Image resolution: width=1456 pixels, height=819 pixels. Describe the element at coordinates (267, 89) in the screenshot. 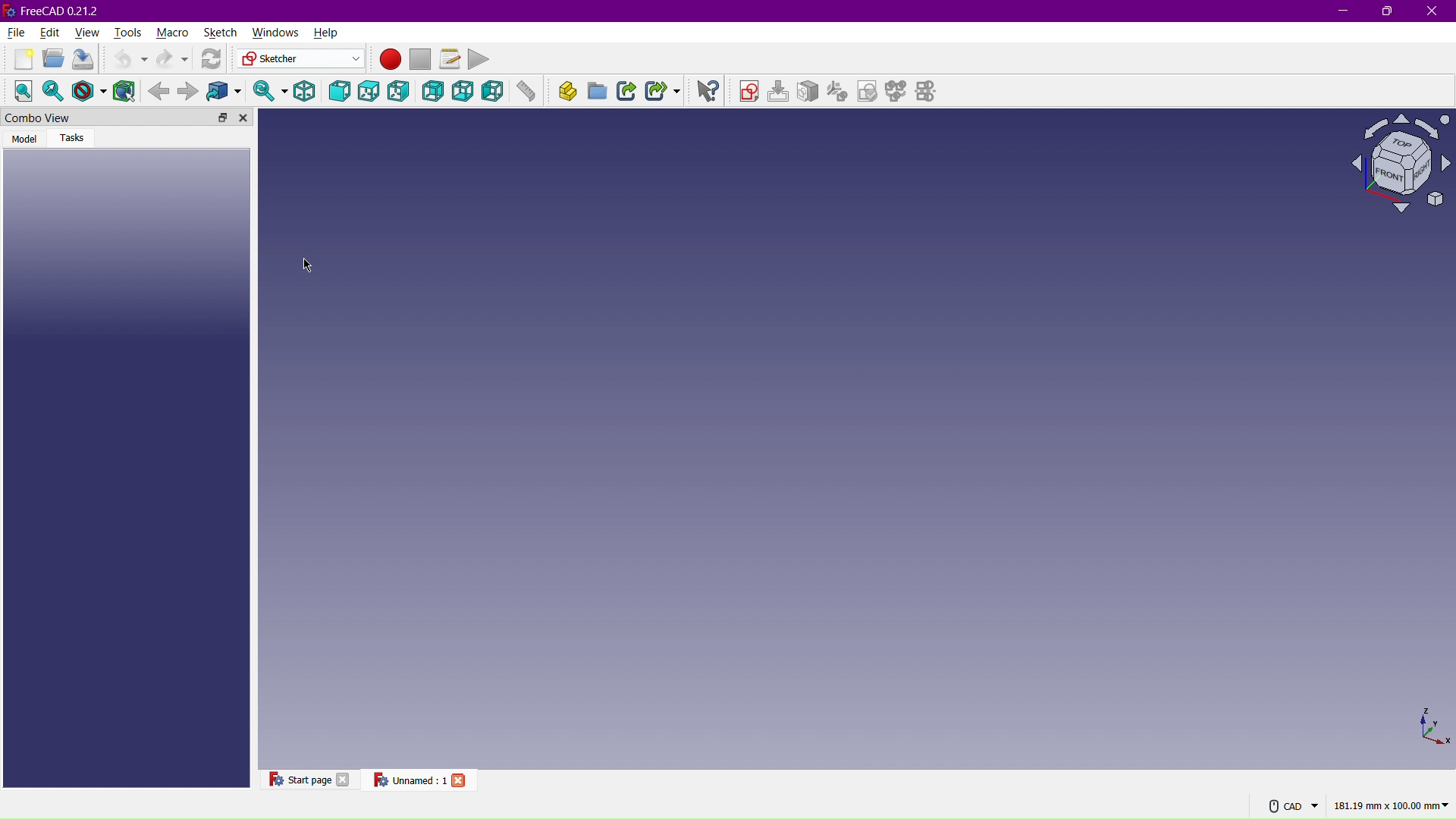

I see `Sync View` at that location.